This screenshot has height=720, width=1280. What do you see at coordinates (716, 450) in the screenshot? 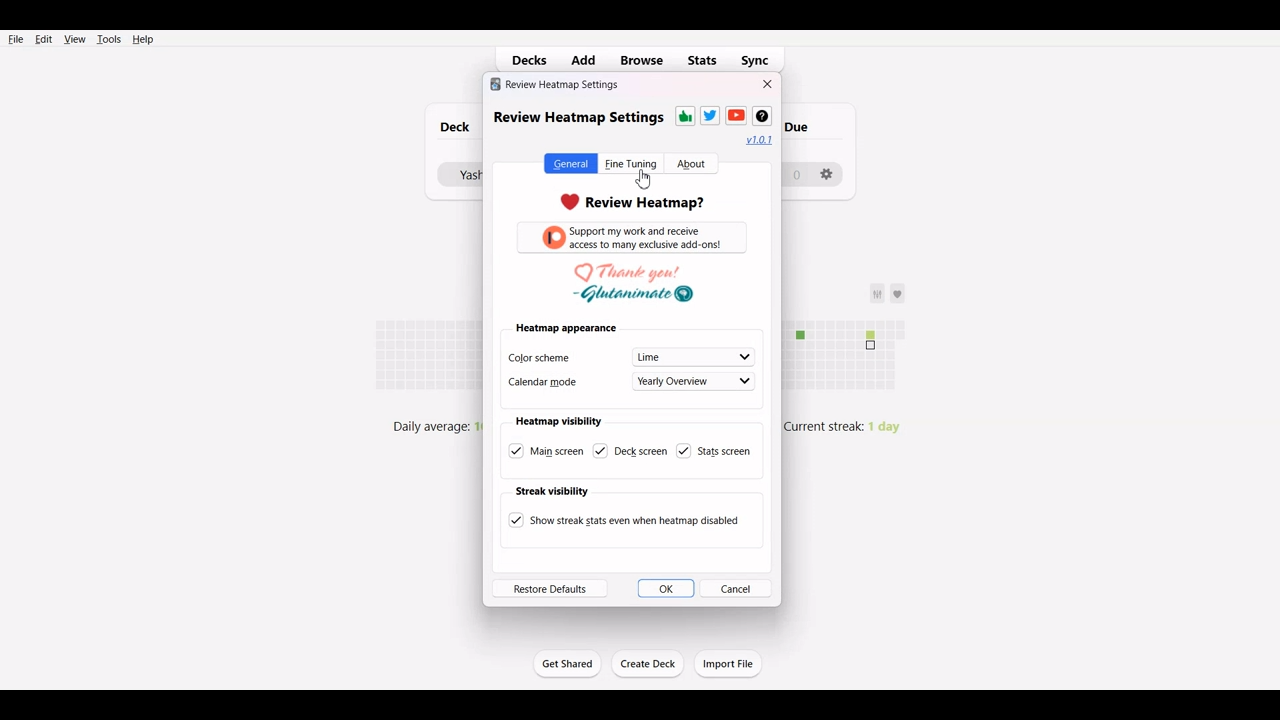
I see `Stats screen` at bounding box center [716, 450].